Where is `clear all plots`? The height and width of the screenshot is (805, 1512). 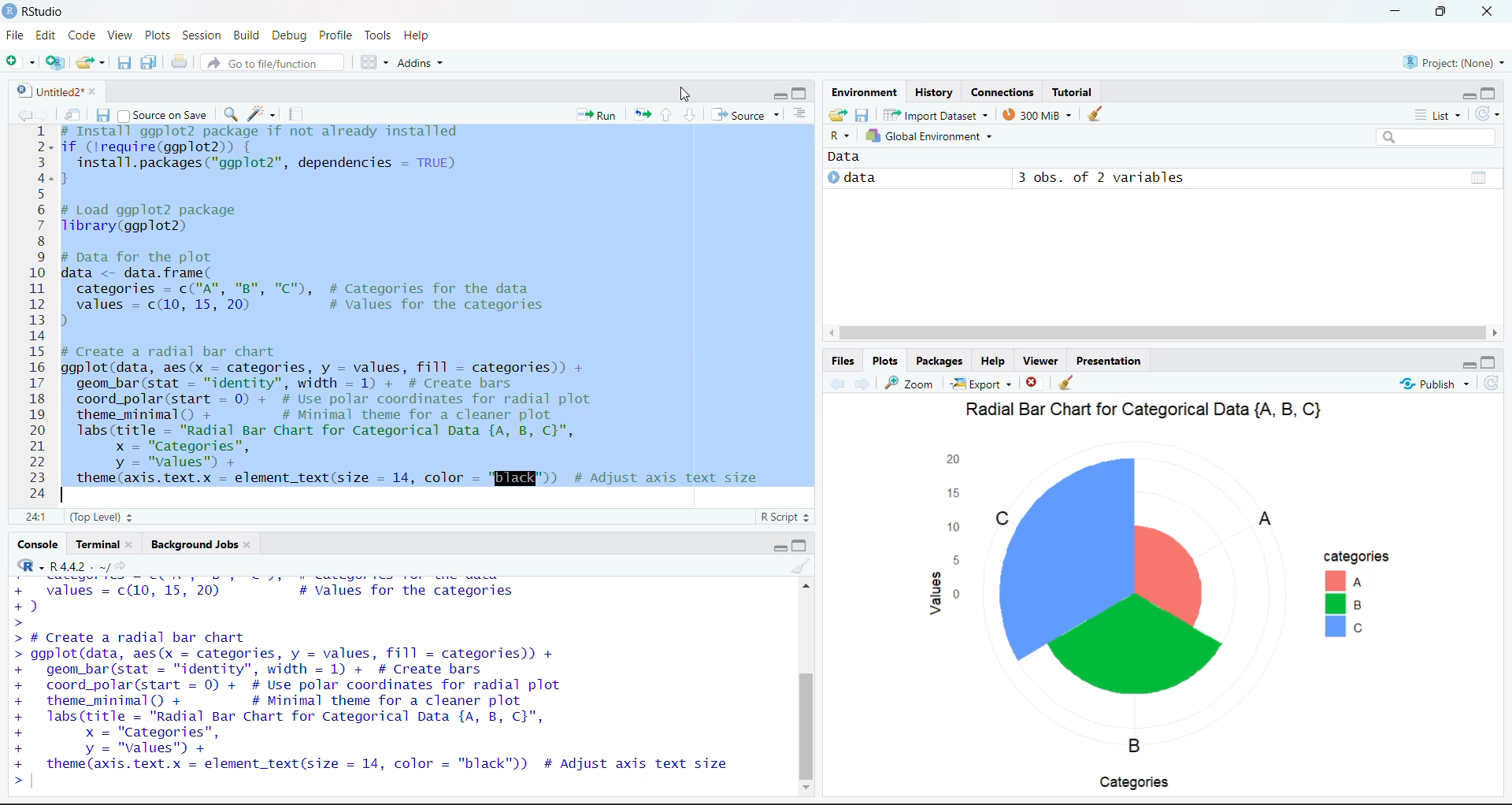
clear all plots is located at coordinates (1069, 384).